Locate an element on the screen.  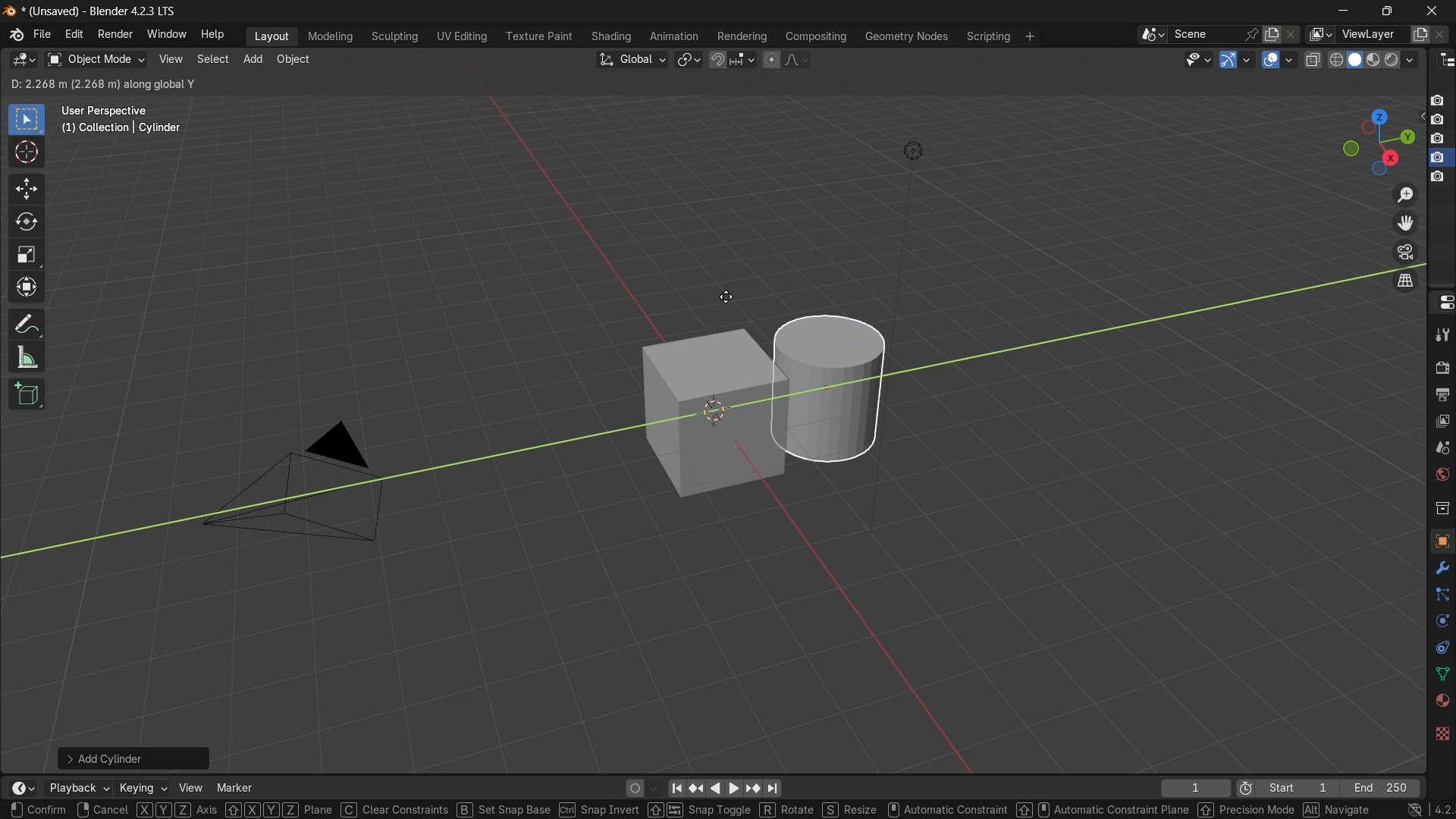
world is located at coordinates (1441, 476).